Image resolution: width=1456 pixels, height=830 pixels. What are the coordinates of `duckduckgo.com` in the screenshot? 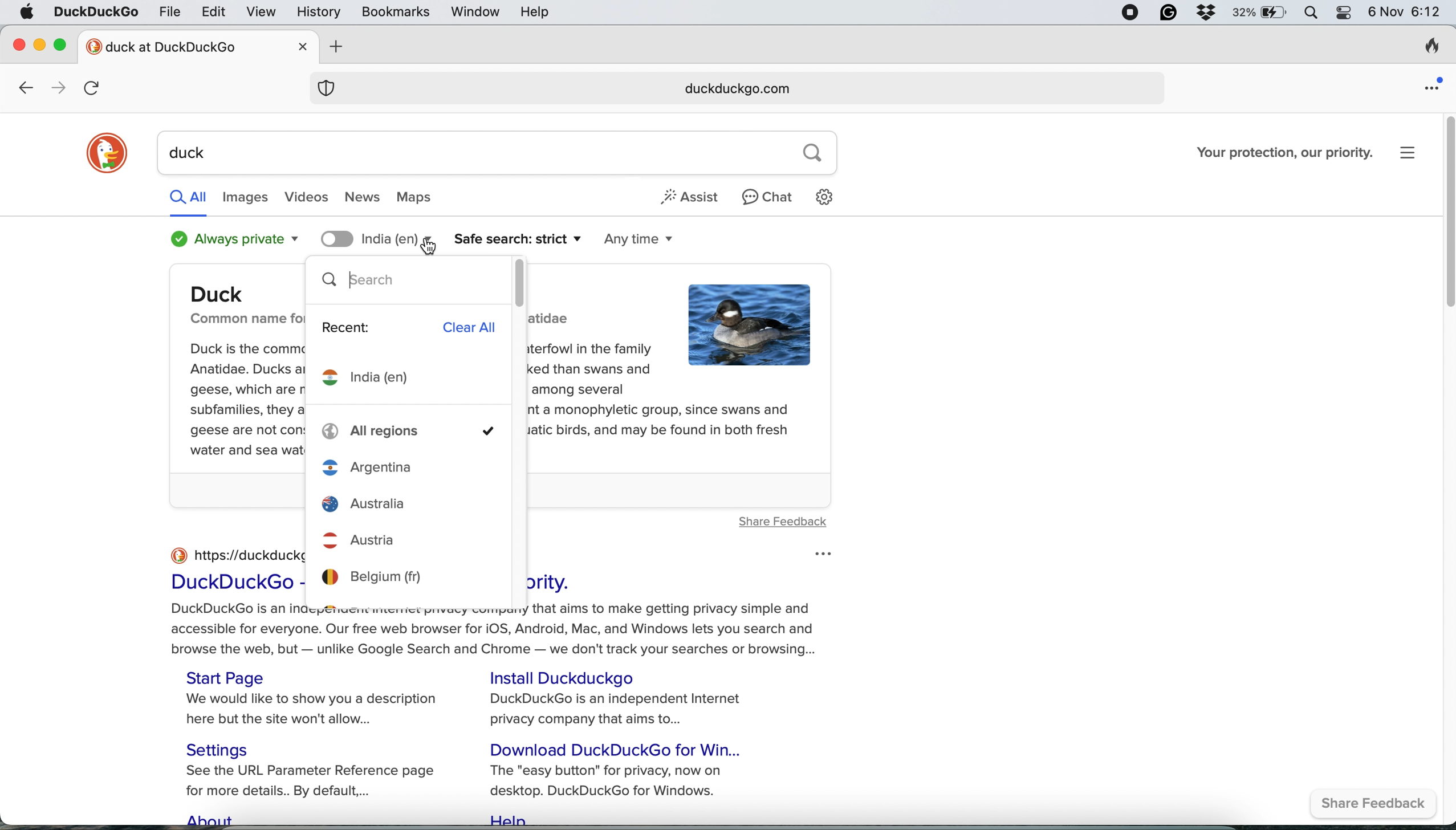 It's located at (734, 89).